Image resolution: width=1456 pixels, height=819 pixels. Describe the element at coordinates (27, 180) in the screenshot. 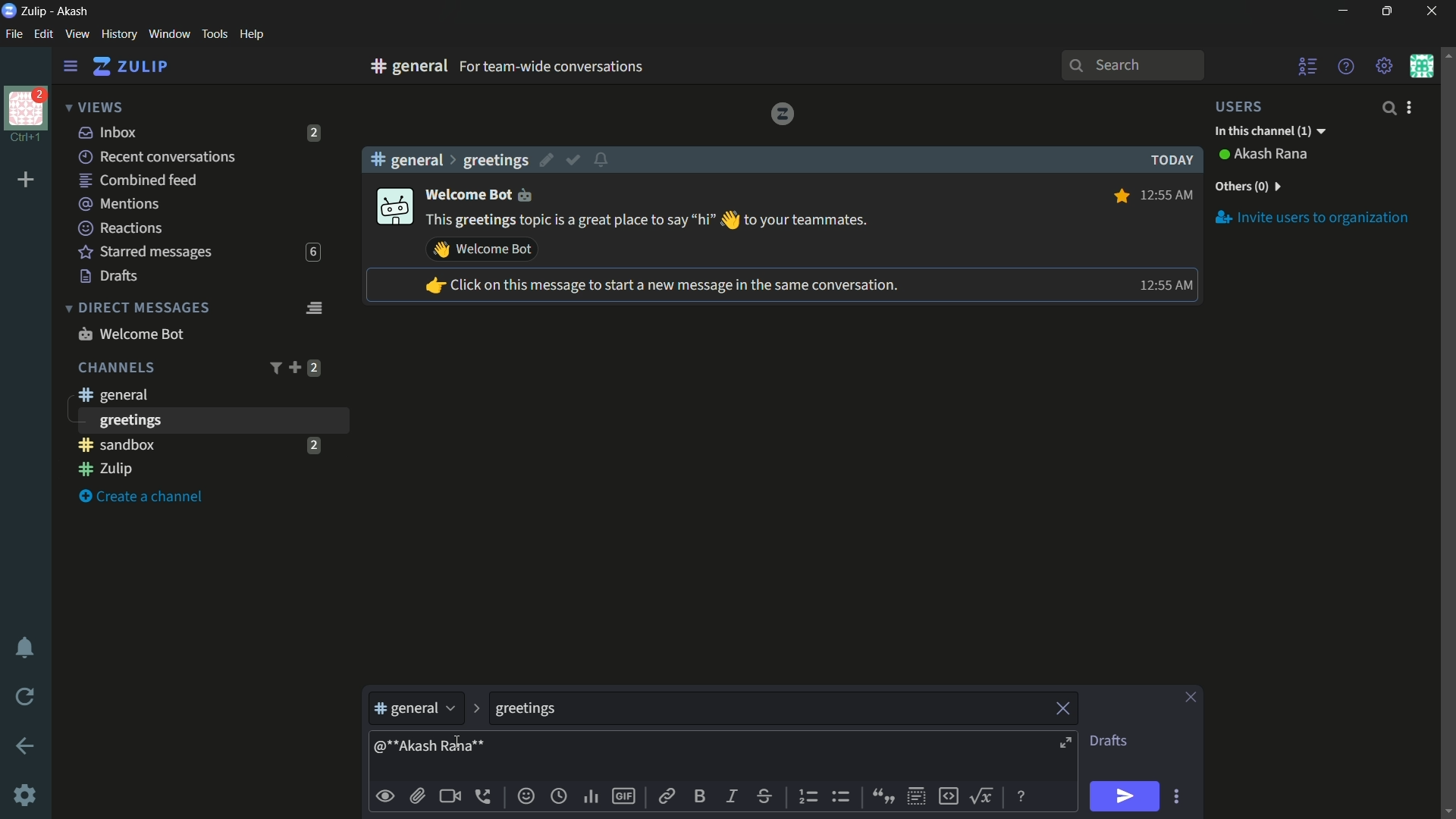

I see `add organization` at that location.